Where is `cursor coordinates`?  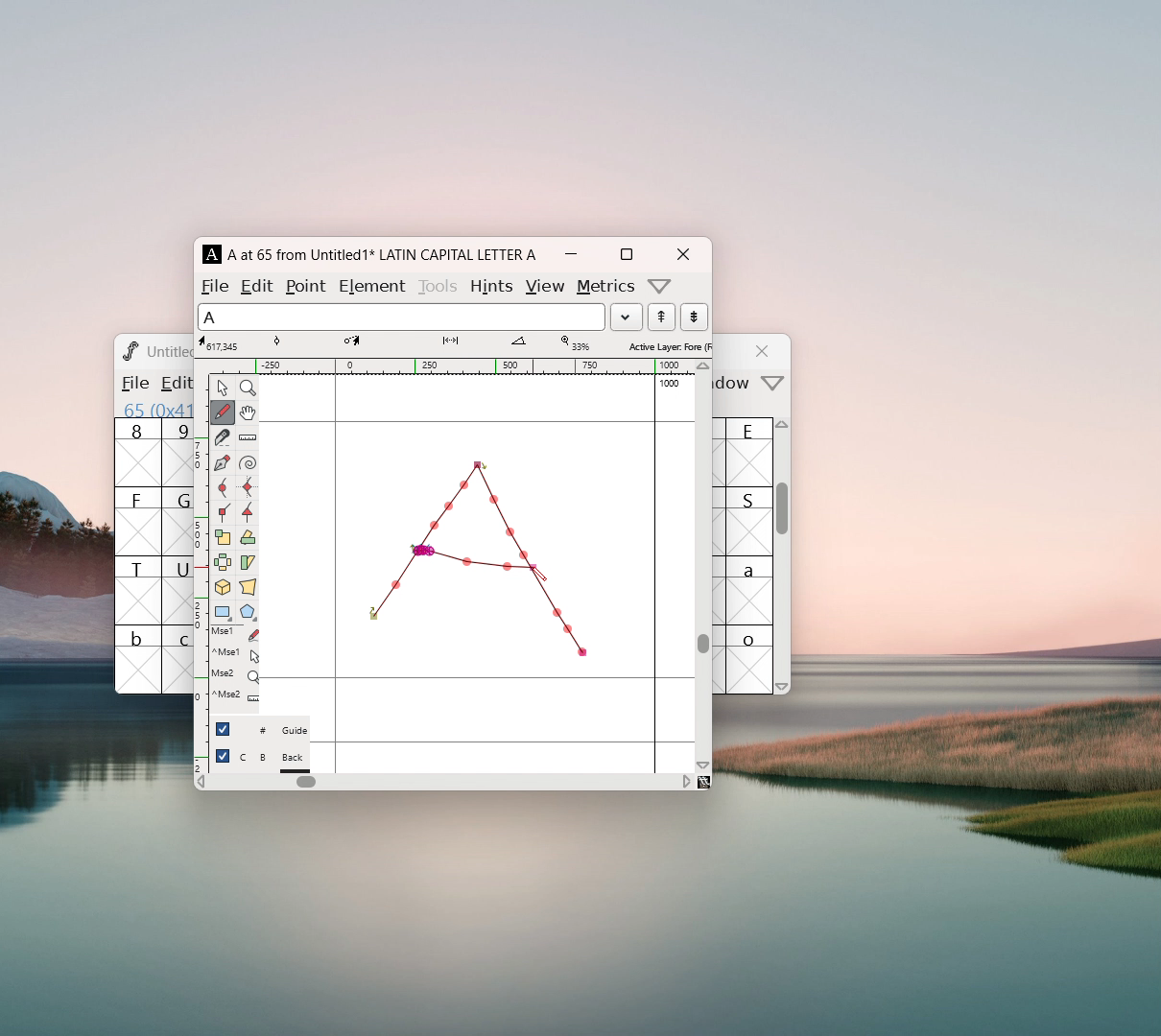
cursor coordinates is located at coordinates (222, 343).